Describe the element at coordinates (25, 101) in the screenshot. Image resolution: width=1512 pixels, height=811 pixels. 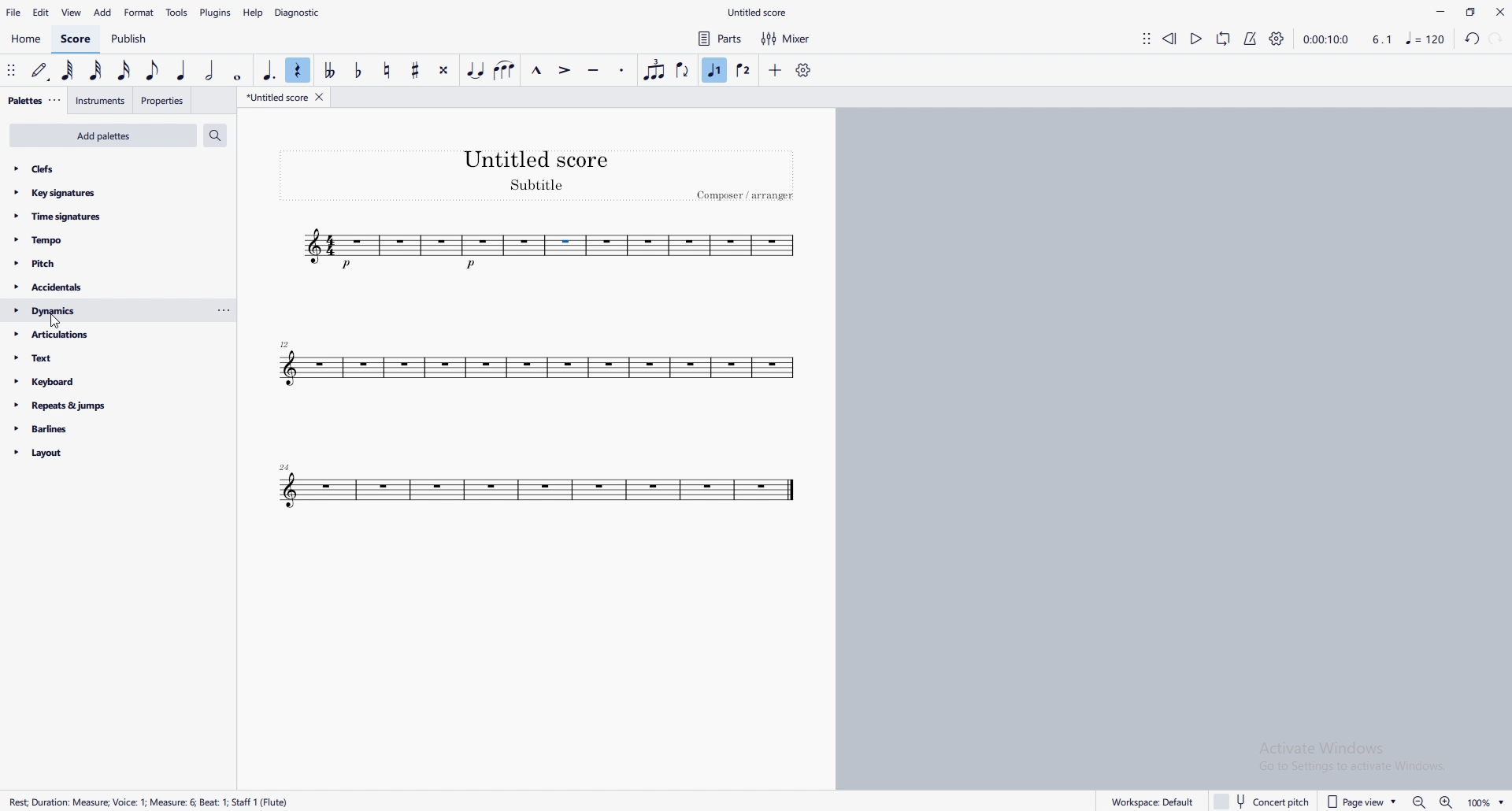
I see `palettes` at that location.